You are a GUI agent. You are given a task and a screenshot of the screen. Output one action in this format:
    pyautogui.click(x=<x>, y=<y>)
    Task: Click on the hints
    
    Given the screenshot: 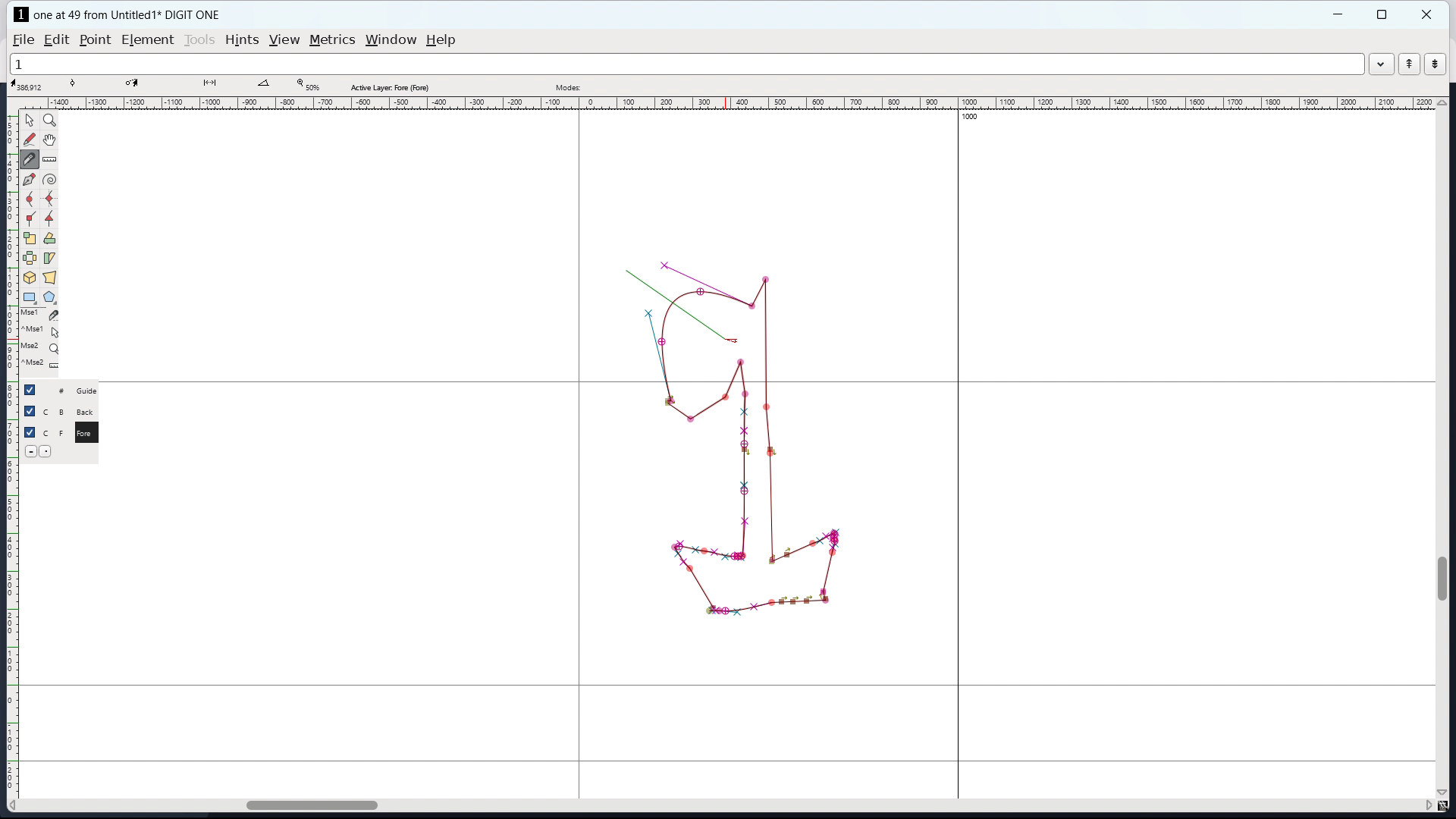 What is the action you would take?
    pyautogui.click(x=242, y=39)
    